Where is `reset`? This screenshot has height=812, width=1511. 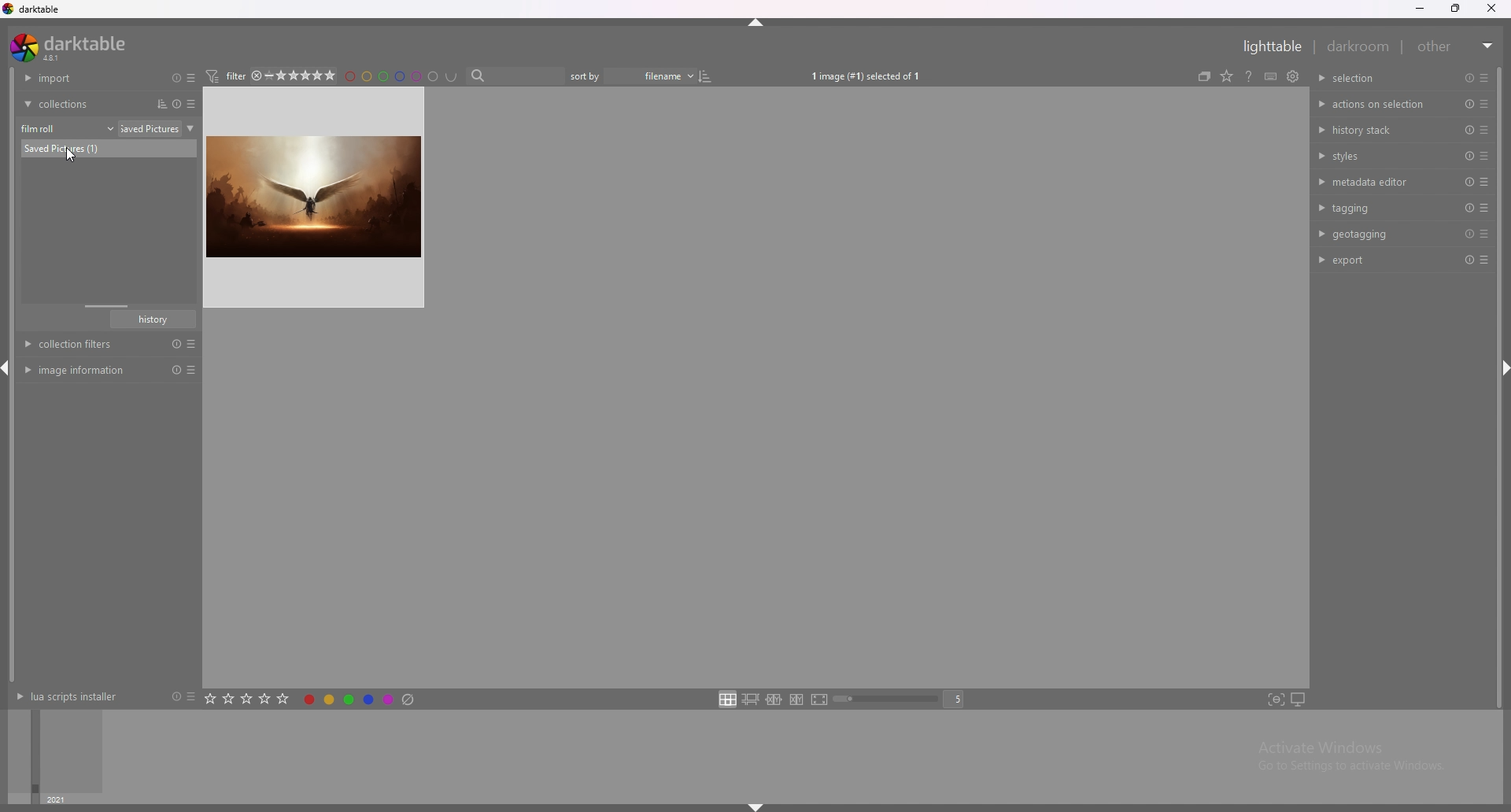
reset is located at coordinates (1467, 208).